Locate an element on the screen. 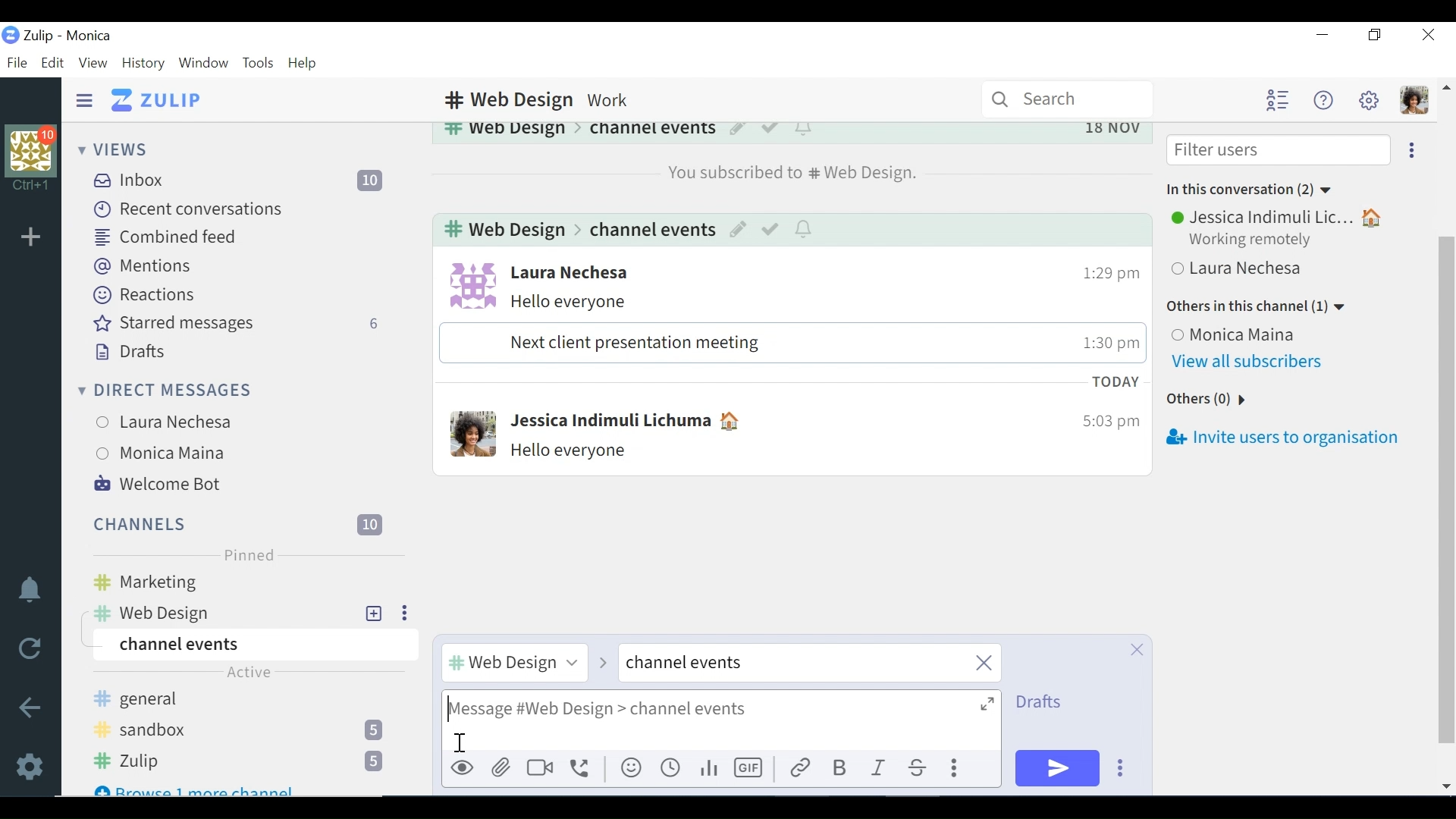 The height and width of the screenshot is (819, 1456). Help menu is located at coordinates (1322, 100).